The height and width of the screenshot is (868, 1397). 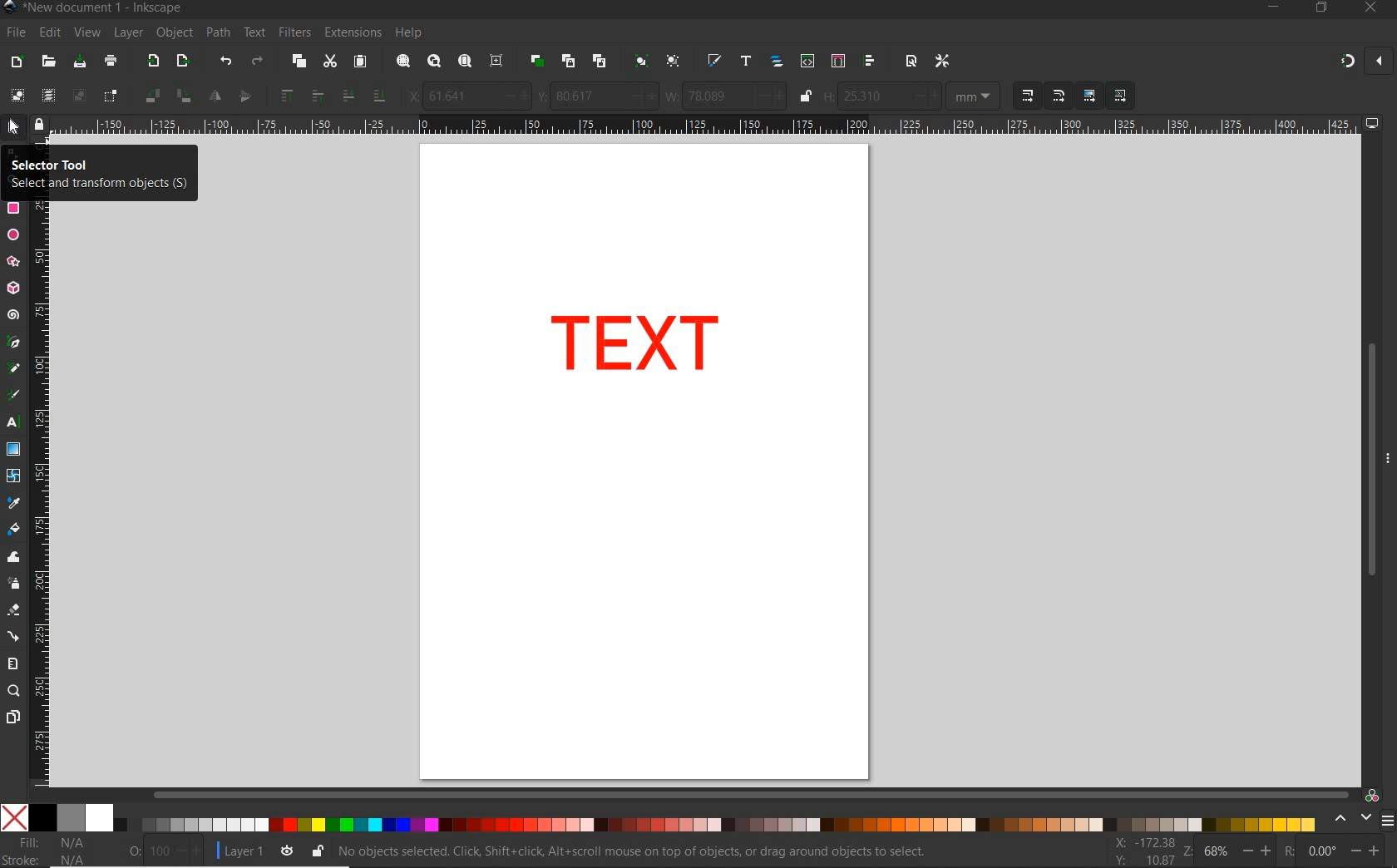 What do you see at coordinates (12, 234) in the screenshot?
I see `ellipse tool` at bounding box center [12, 234].